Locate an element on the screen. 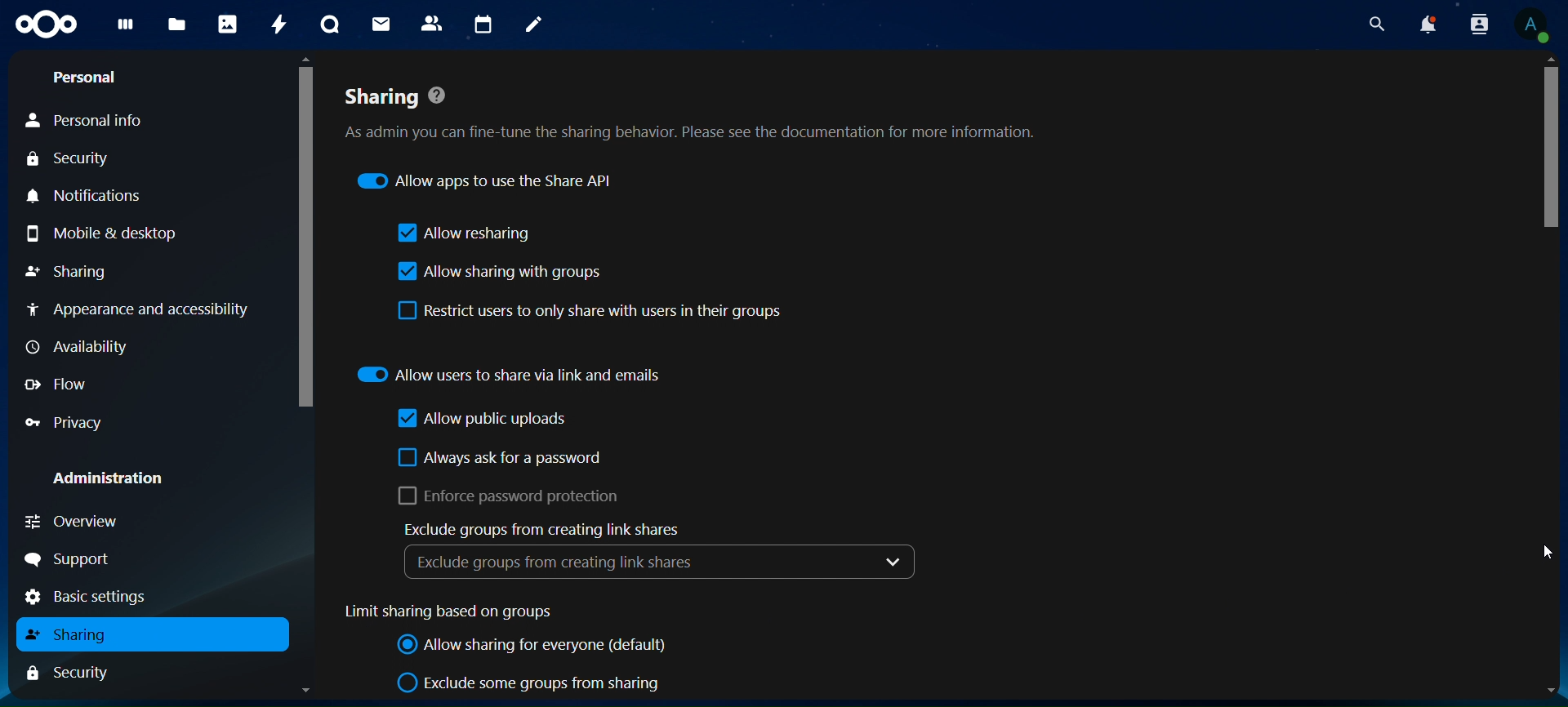 The width and height of the screenshot is (1568, 707). allow resharing is located at coordinates (465, 234).